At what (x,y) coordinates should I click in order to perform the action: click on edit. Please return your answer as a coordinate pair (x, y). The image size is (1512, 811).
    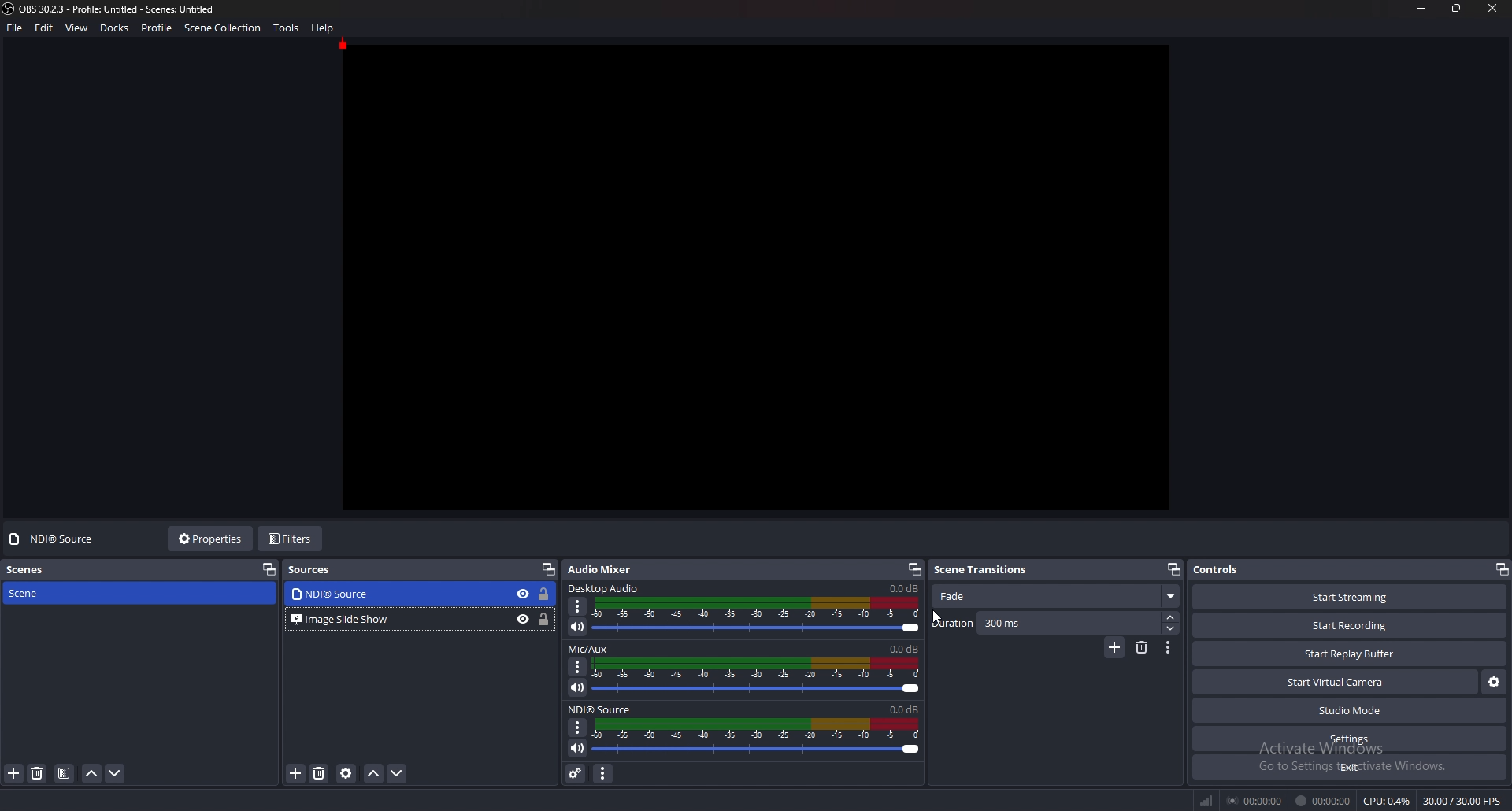
    Looking at the image, I should click on (46, 28).